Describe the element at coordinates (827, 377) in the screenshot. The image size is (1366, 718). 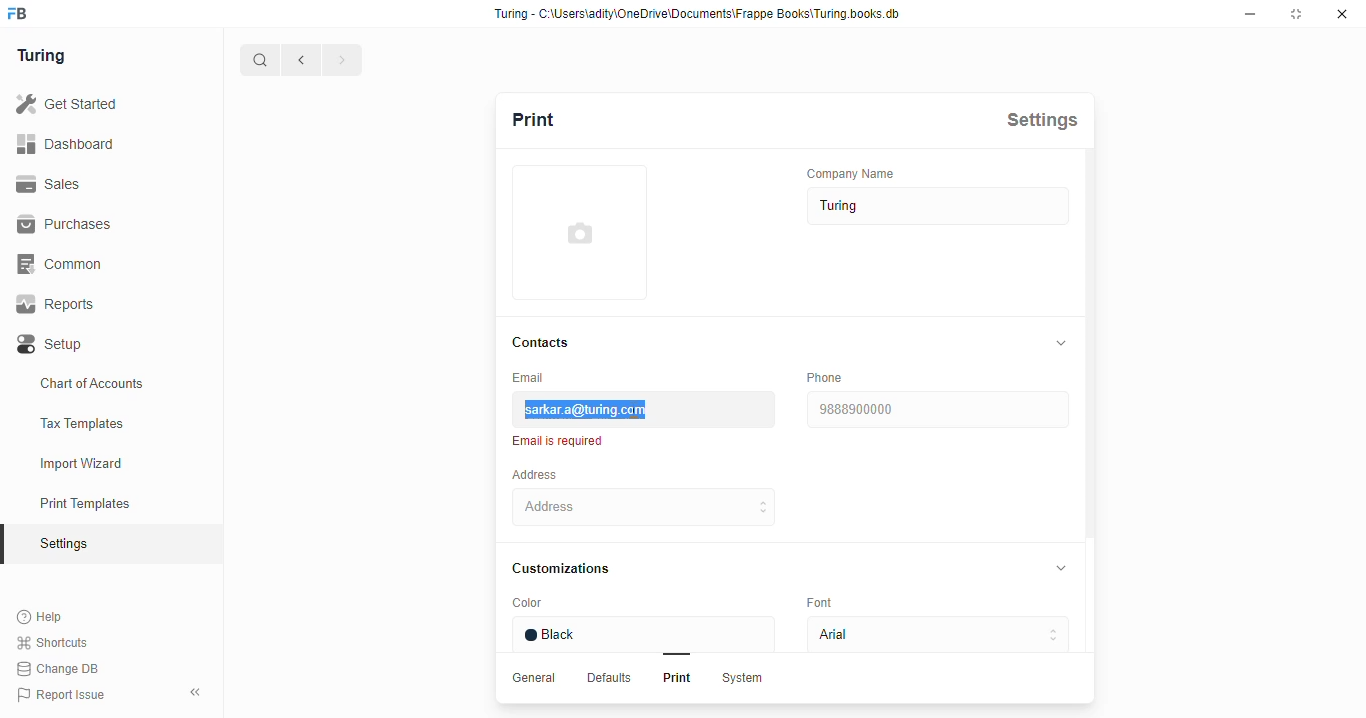
I see `‘Phone` at that location.